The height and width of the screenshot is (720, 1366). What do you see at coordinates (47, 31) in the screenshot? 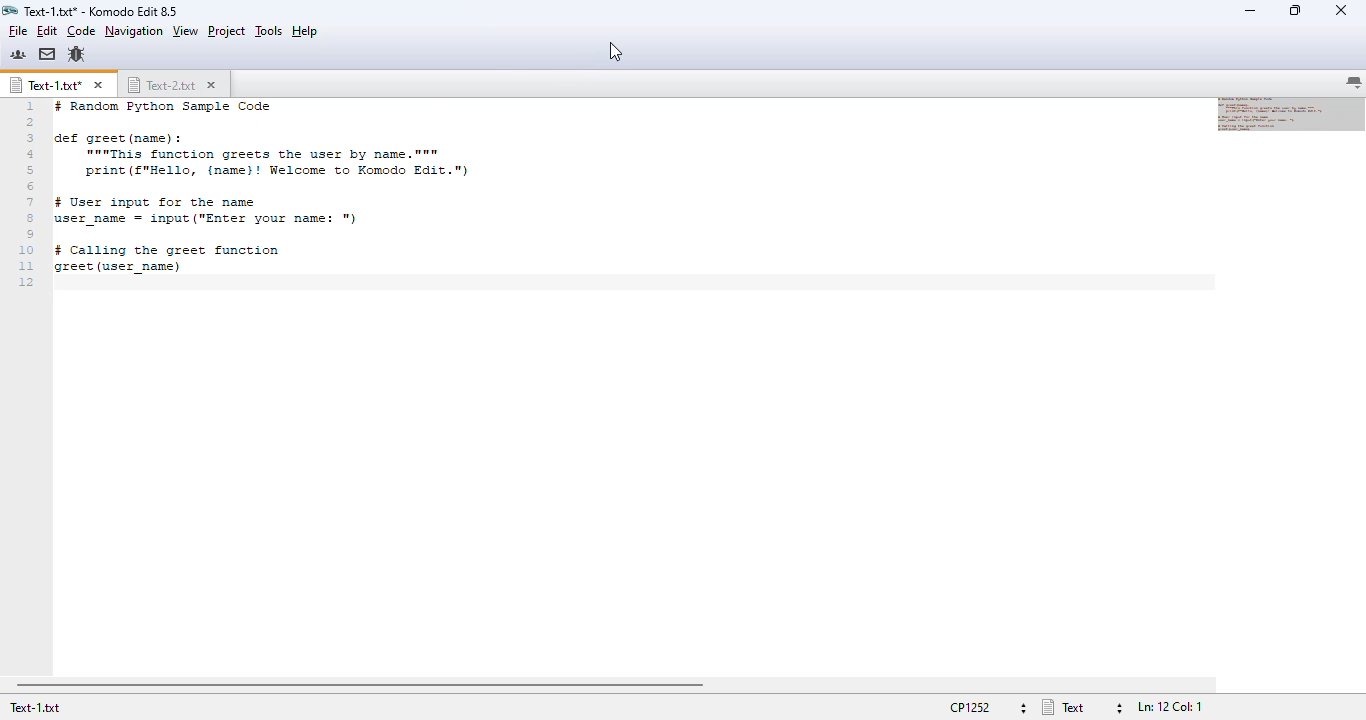
I see `edit` at bounding box center [47, 31].